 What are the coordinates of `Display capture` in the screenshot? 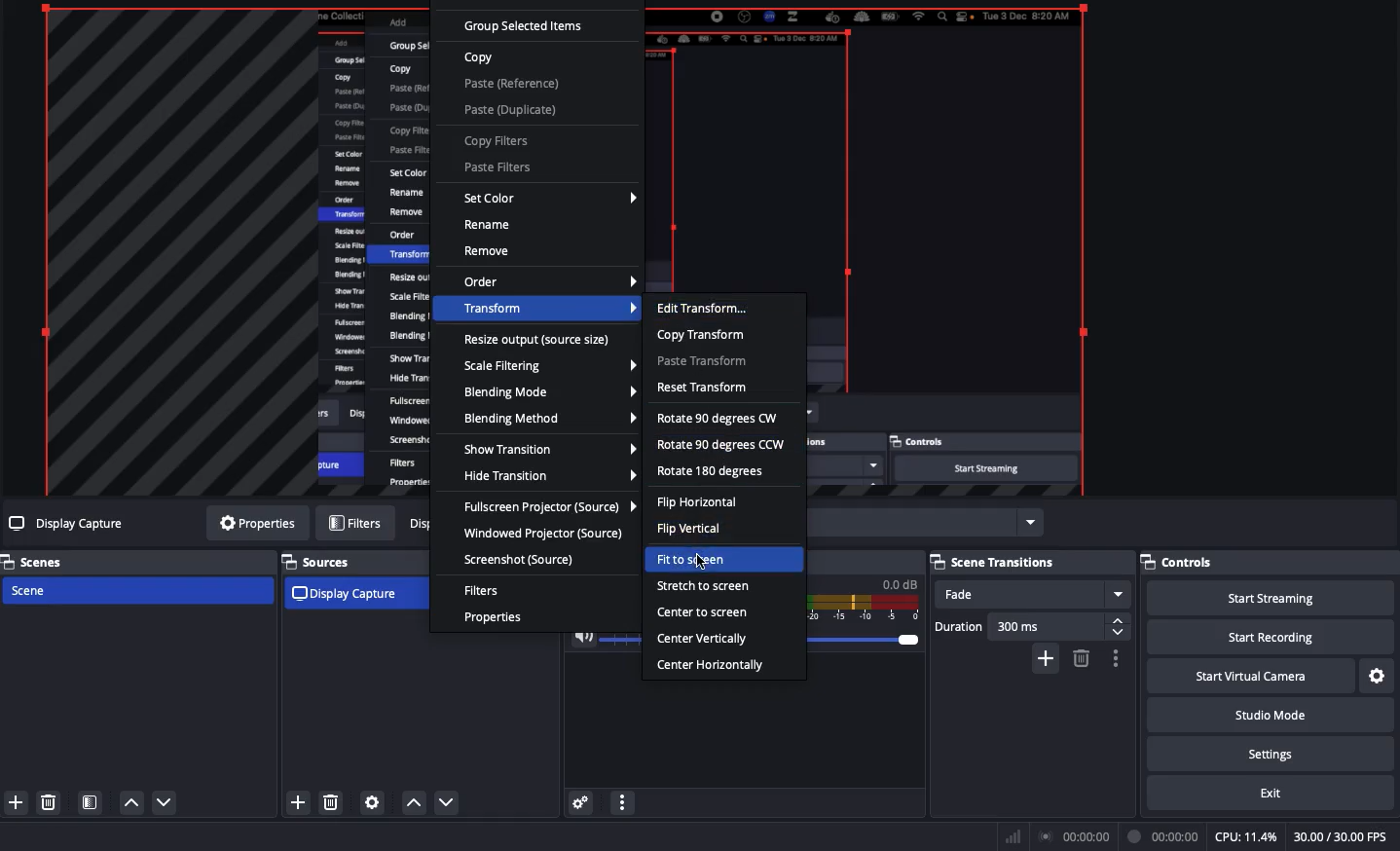 It's located at (350, 595).